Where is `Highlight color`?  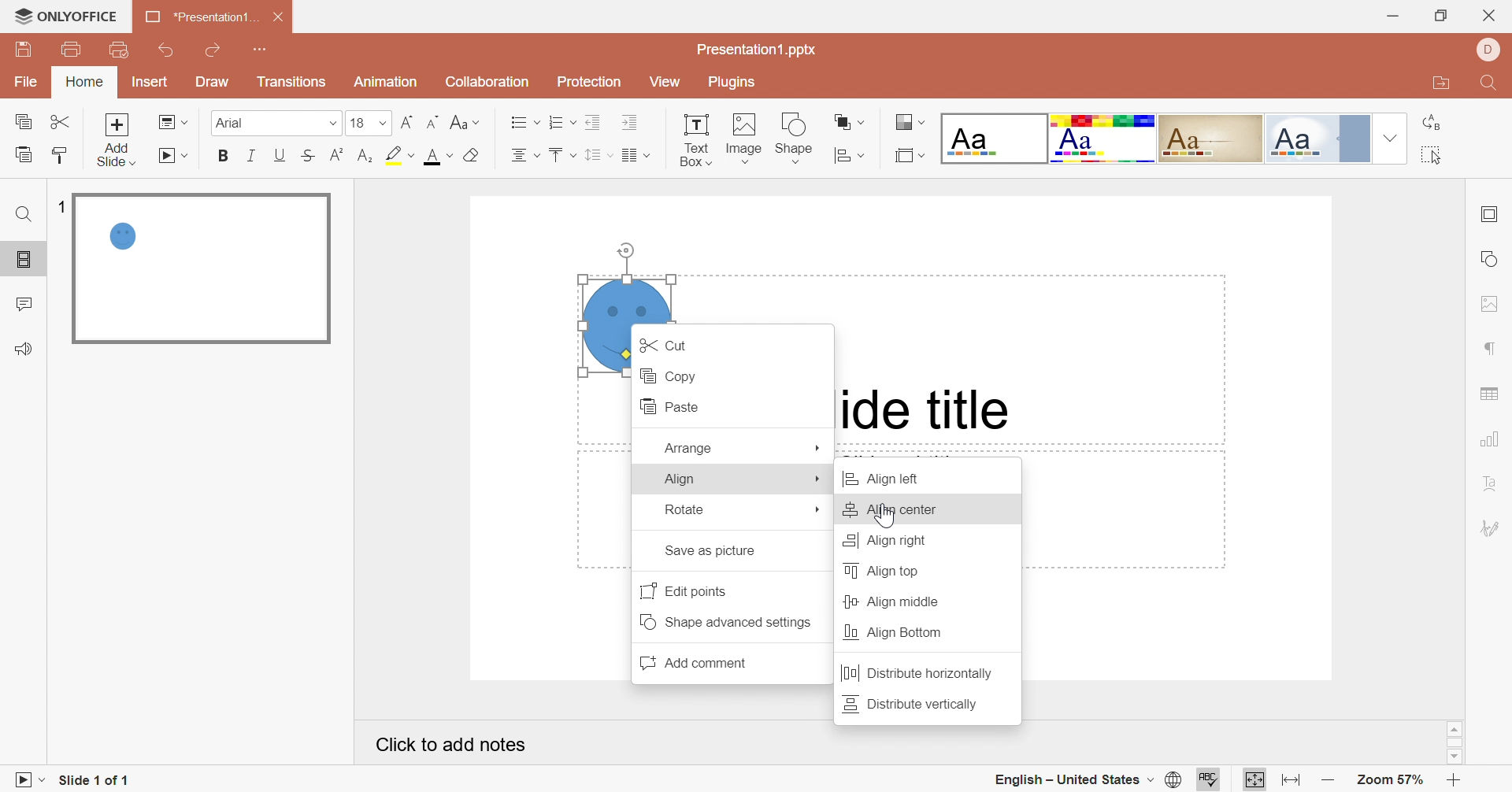 Highlight color is located at coordinates (396, 154).